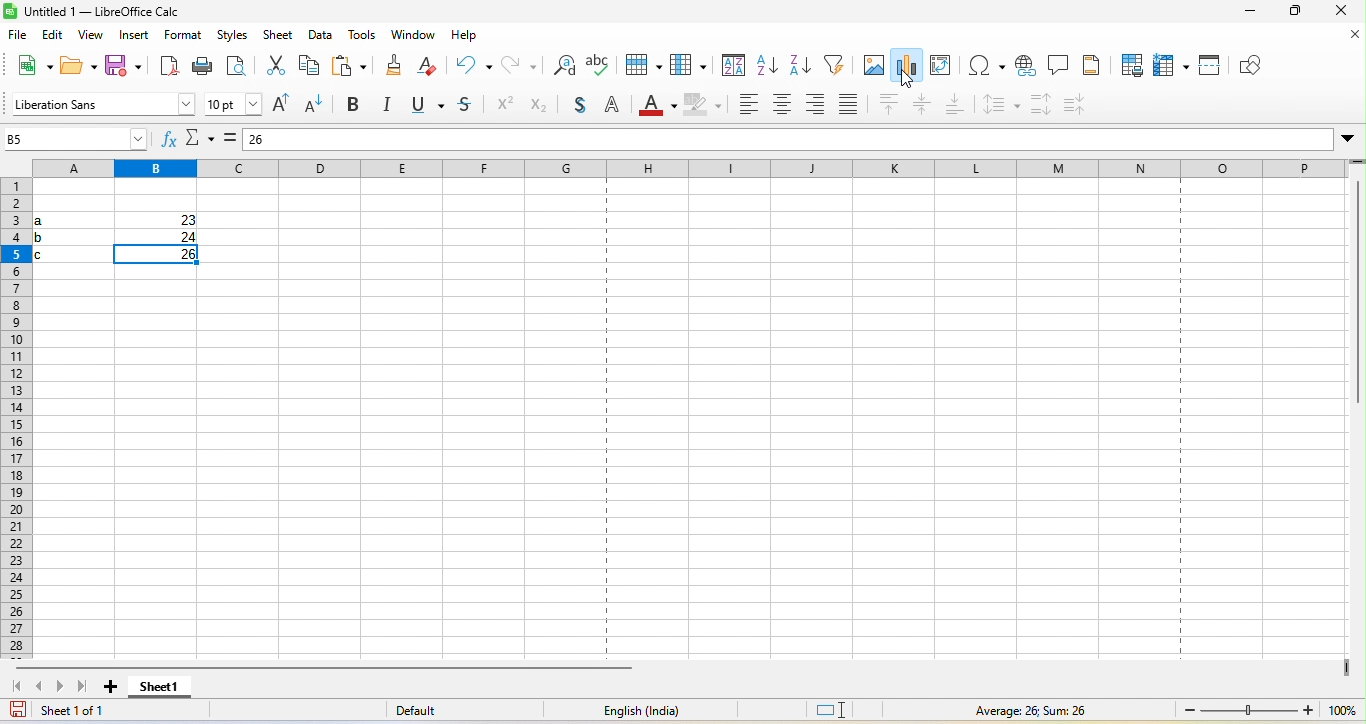 This screenshot has width=1366, height=724. Describe the element at coordinates (835, 65) in the screenshot. I see `auto filter` at that location.